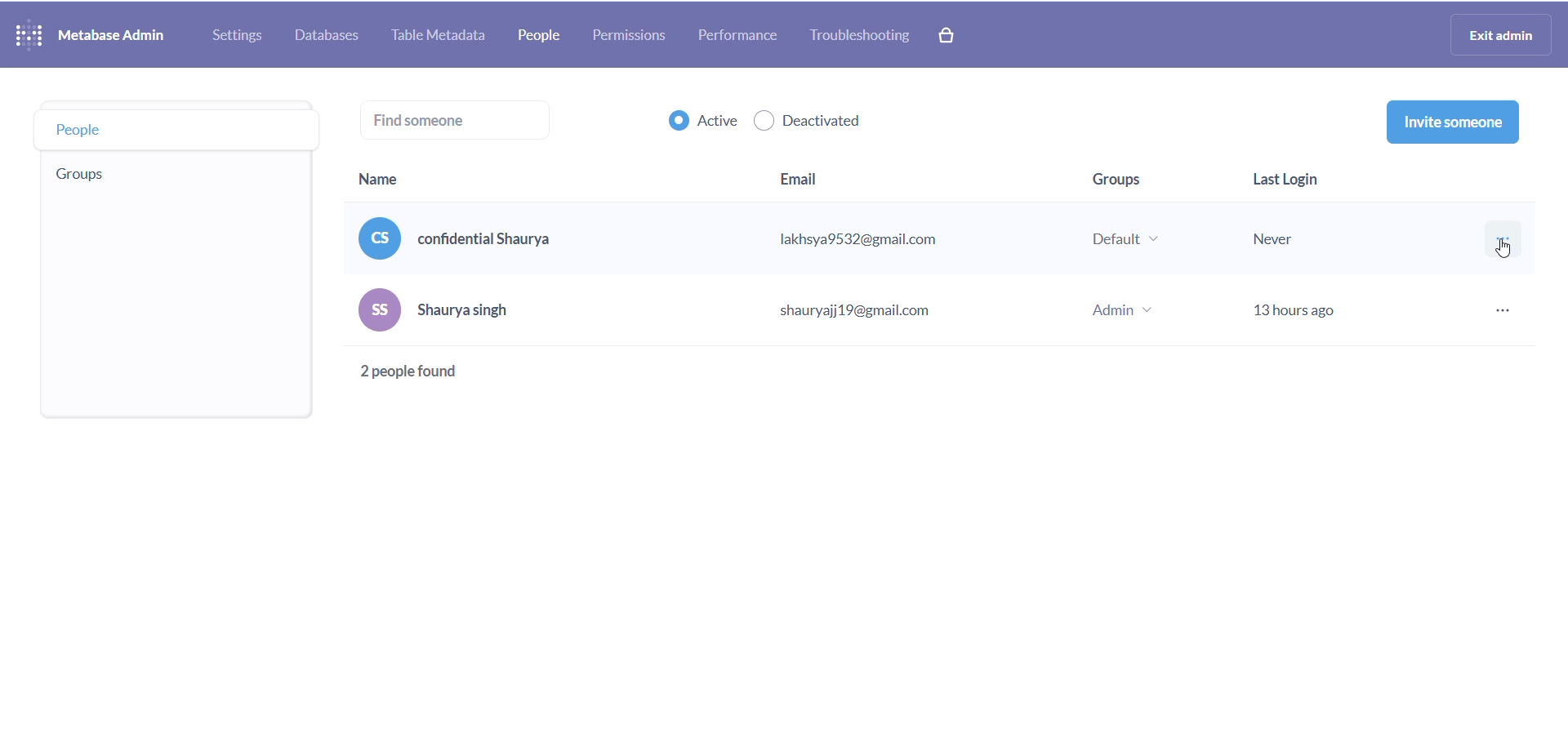  Describe the element at coordinates (443, 181) in the screenshot. I see `name heading` at that location.